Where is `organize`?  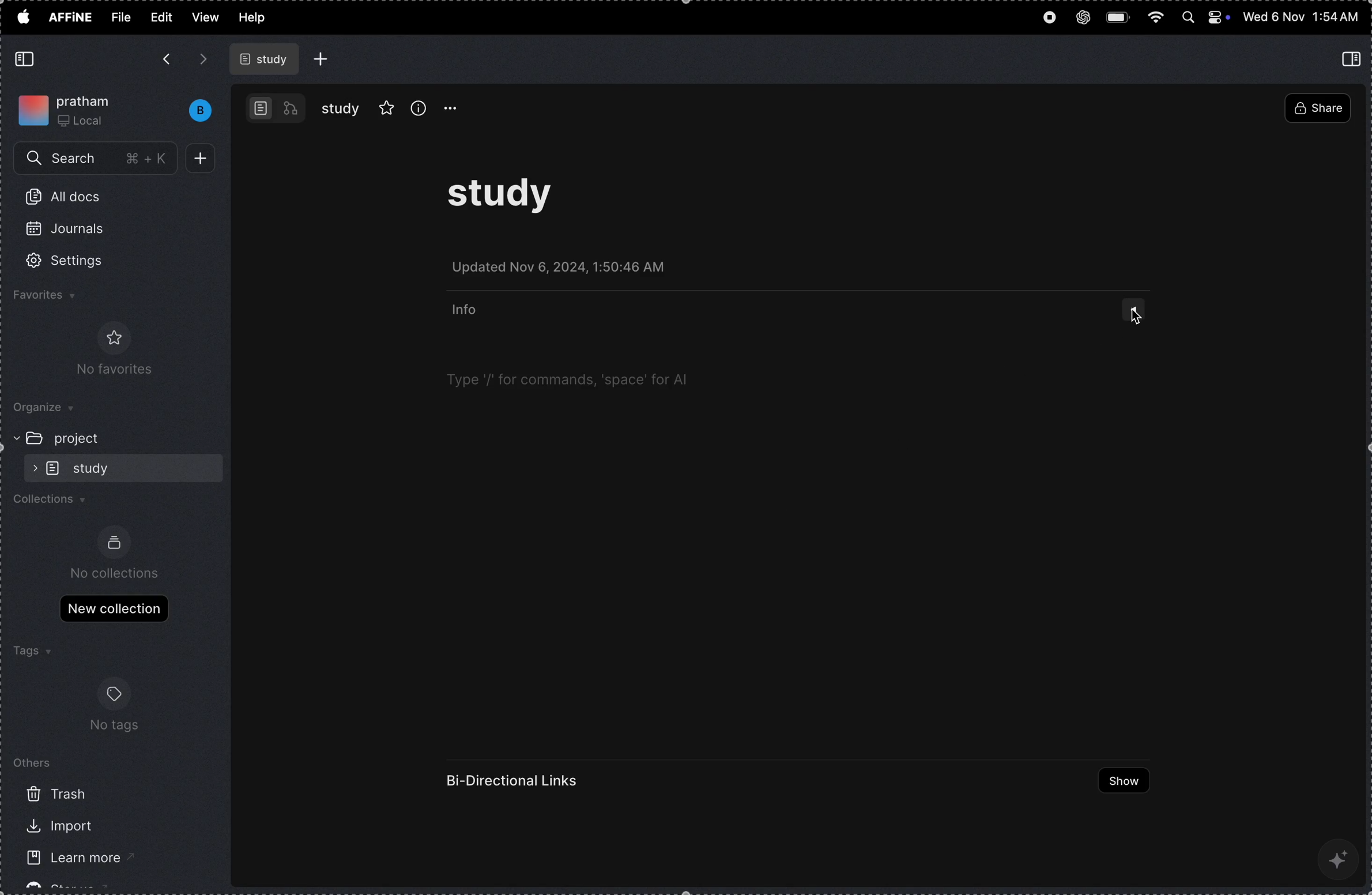
organize is located at coordinates (52, 409).